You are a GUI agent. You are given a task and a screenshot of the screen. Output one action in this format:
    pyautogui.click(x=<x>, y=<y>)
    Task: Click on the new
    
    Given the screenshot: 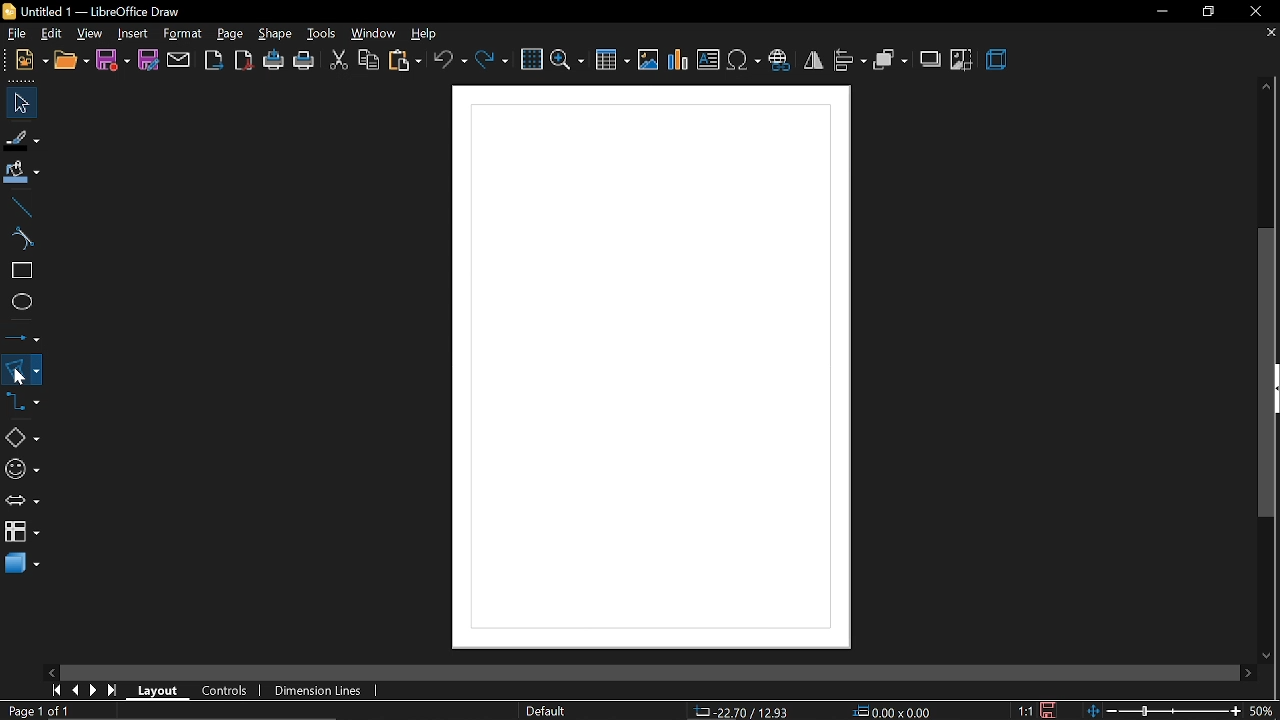 What is the action you would take?
    pyautogui.click(x=32, y=60)
    